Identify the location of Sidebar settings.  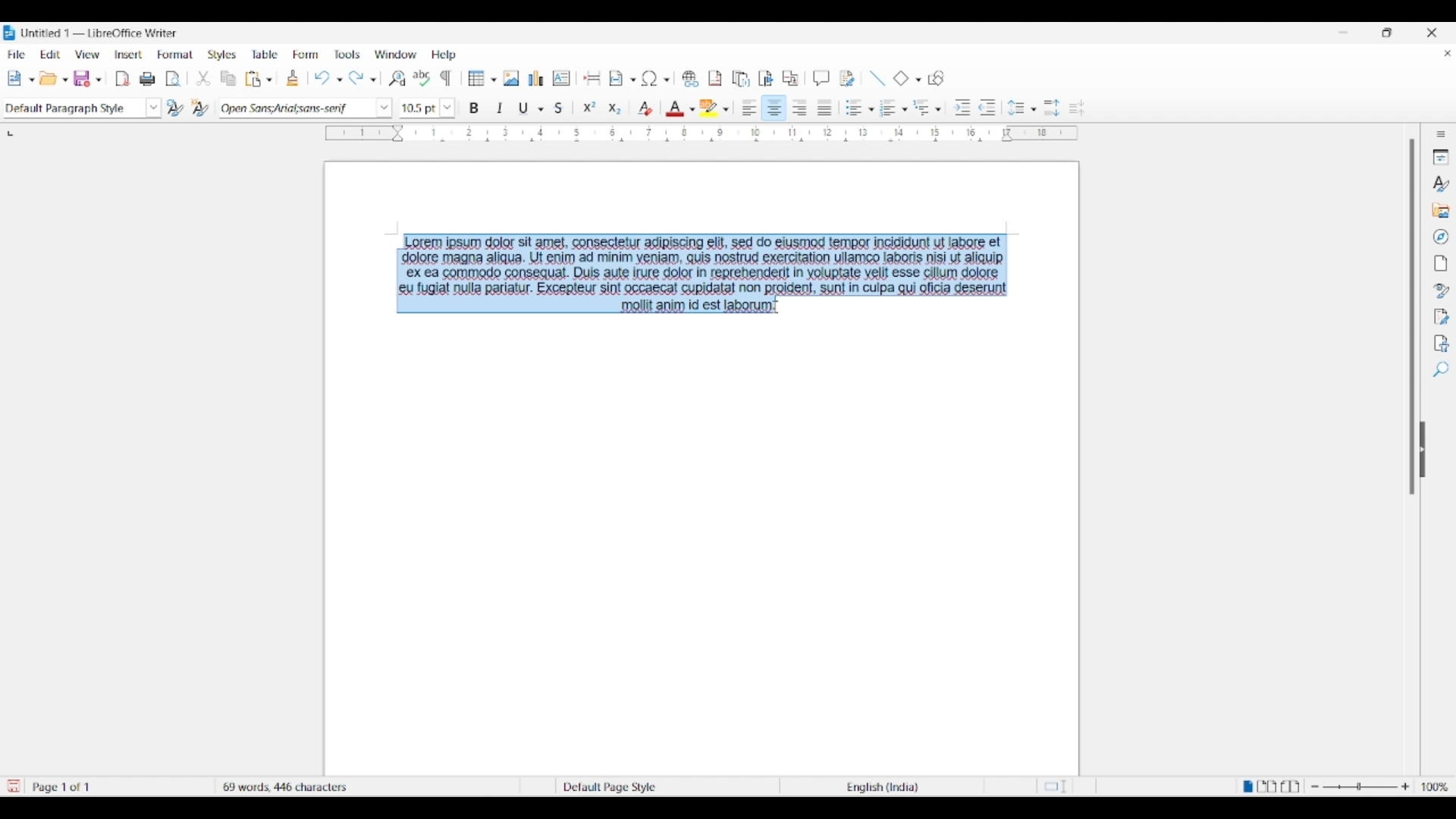
(1441, 134).